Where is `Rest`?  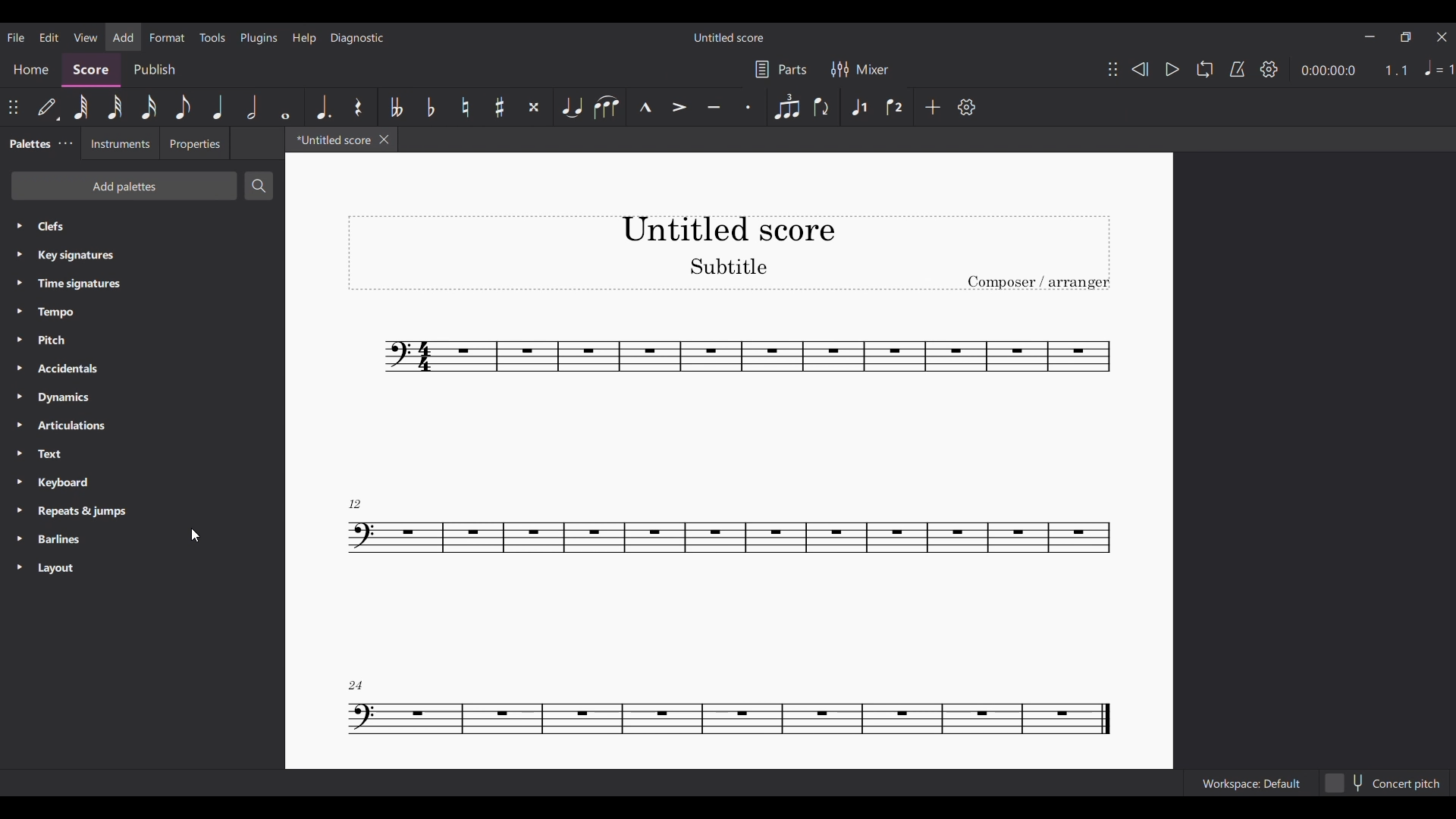
Rest is located at coordinates (716, 105).